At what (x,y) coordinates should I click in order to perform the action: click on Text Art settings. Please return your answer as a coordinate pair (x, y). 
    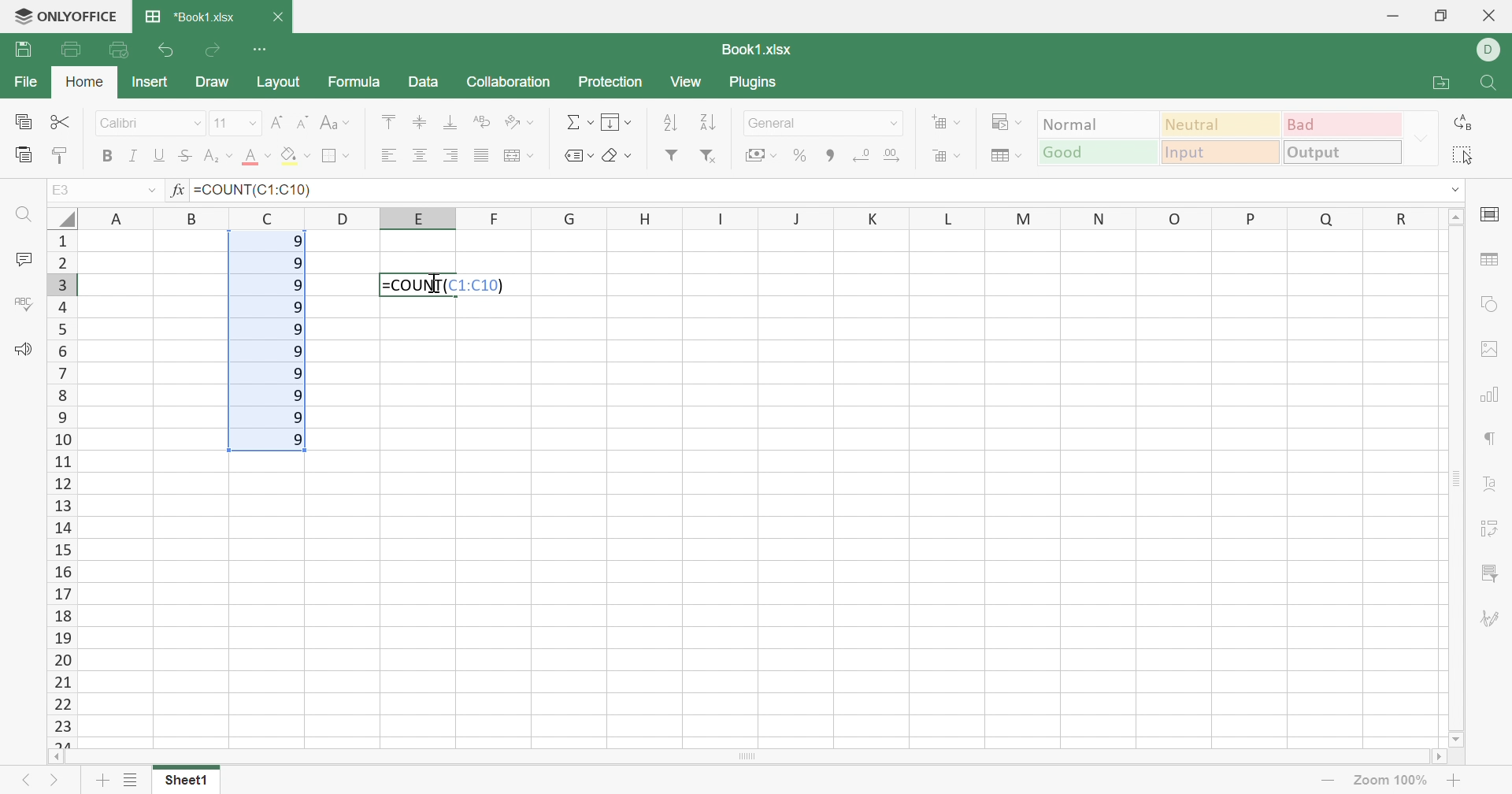
    Looking at the image, I should click on (1490, 484).